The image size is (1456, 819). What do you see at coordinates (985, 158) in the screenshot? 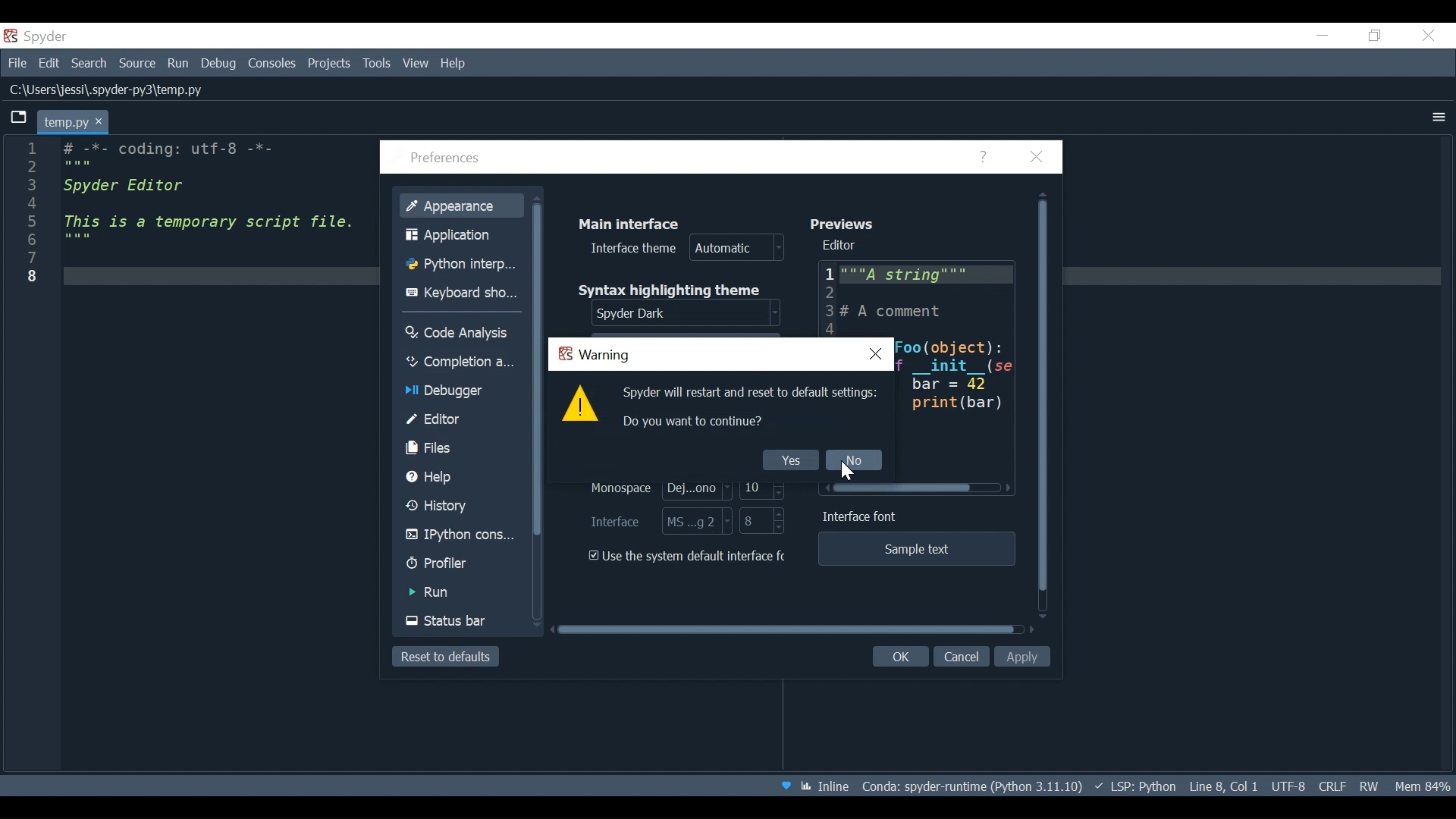
I see `Help` at bounding box center [985, 158].